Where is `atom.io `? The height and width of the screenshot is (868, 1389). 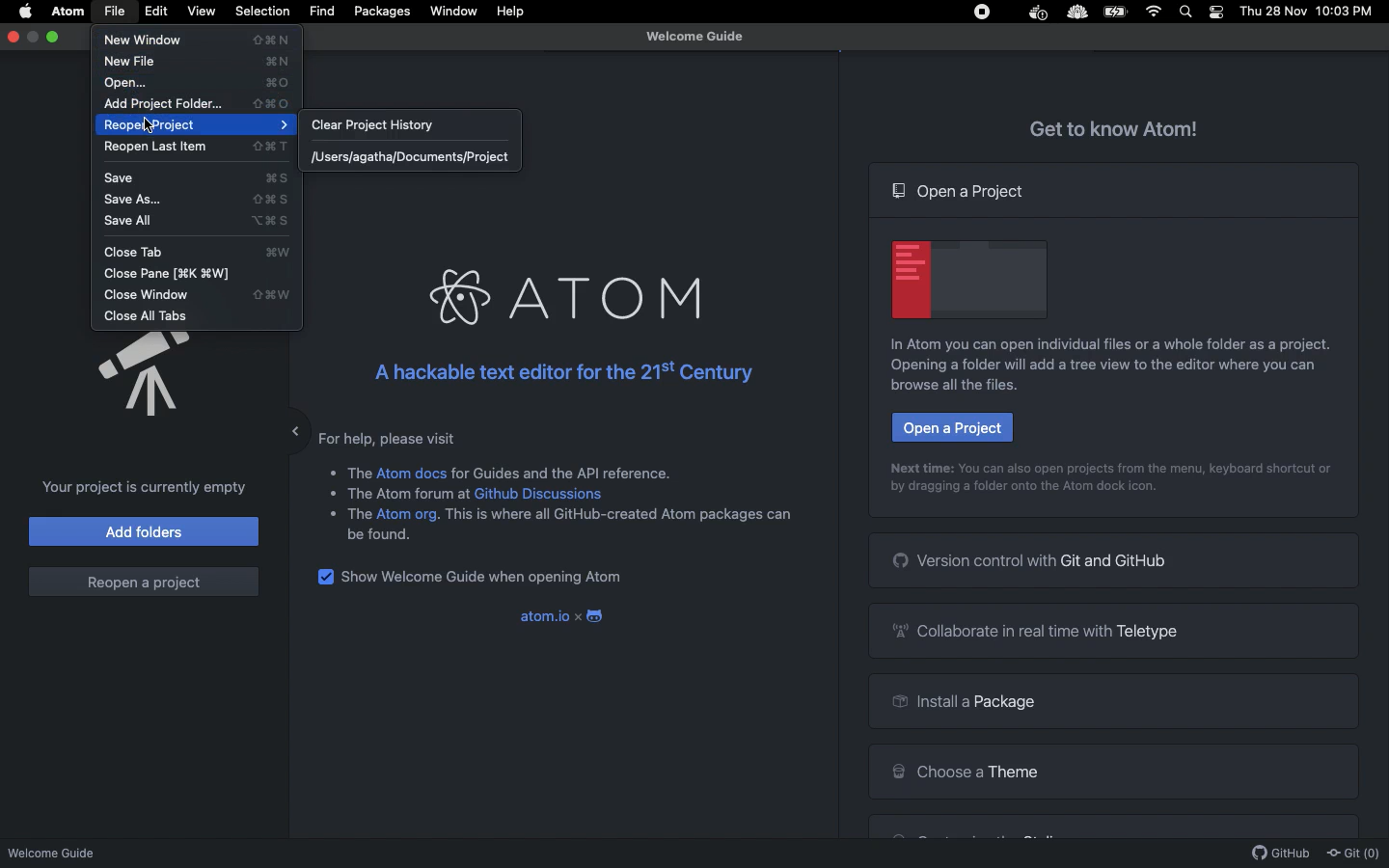 atom.io  is located at coordinates (542, 616).